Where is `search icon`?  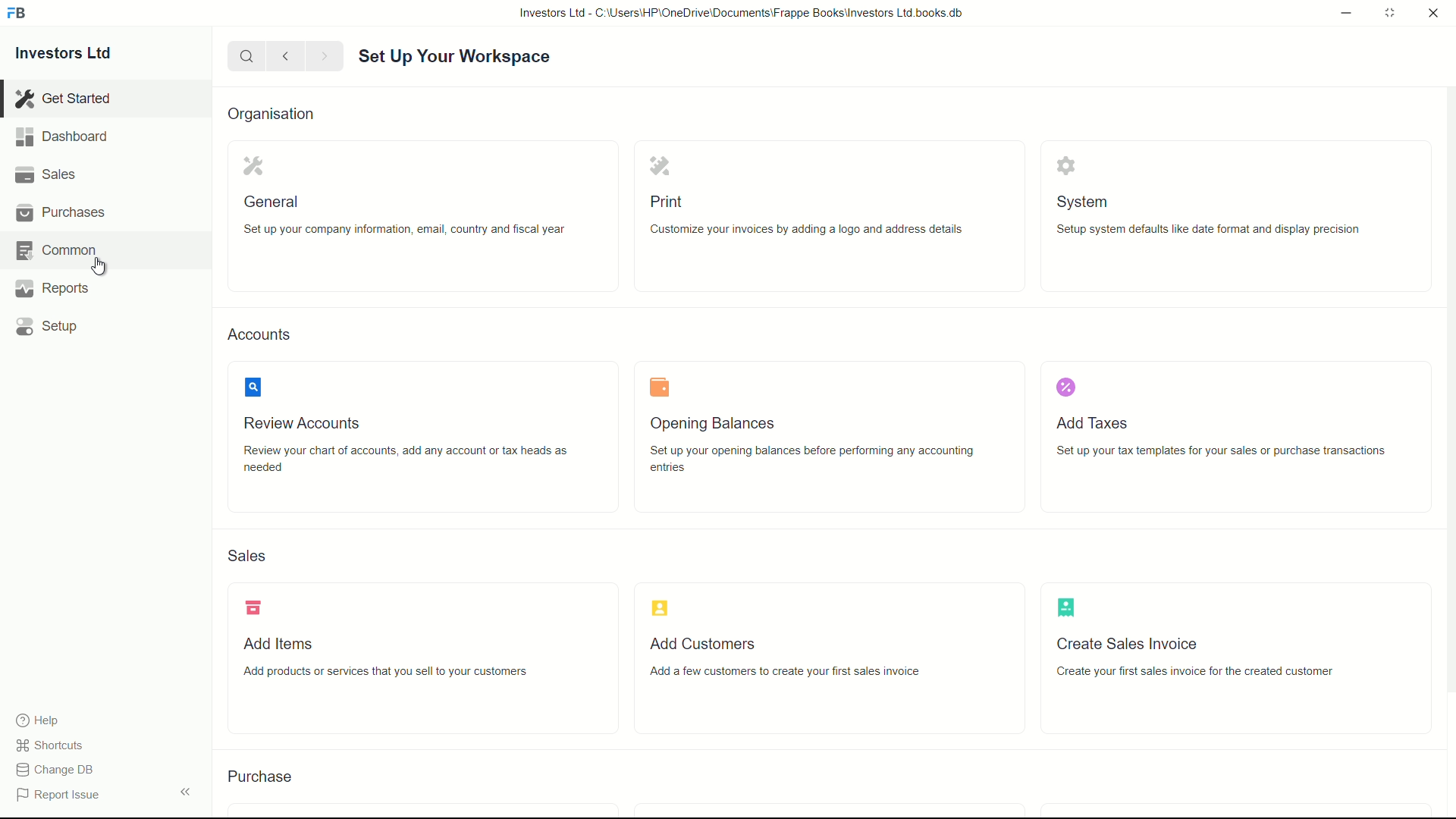 search icon is located at coordinates (250, 388).